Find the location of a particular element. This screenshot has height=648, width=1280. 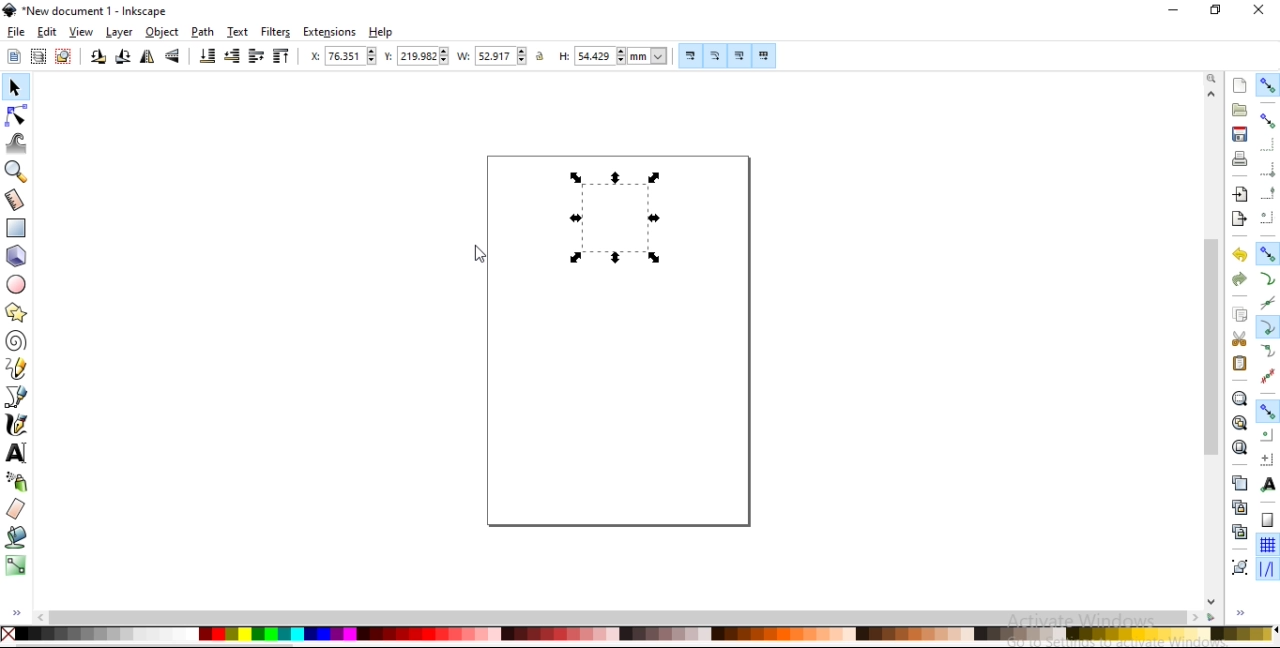

path is located at coordinates (203, 31).